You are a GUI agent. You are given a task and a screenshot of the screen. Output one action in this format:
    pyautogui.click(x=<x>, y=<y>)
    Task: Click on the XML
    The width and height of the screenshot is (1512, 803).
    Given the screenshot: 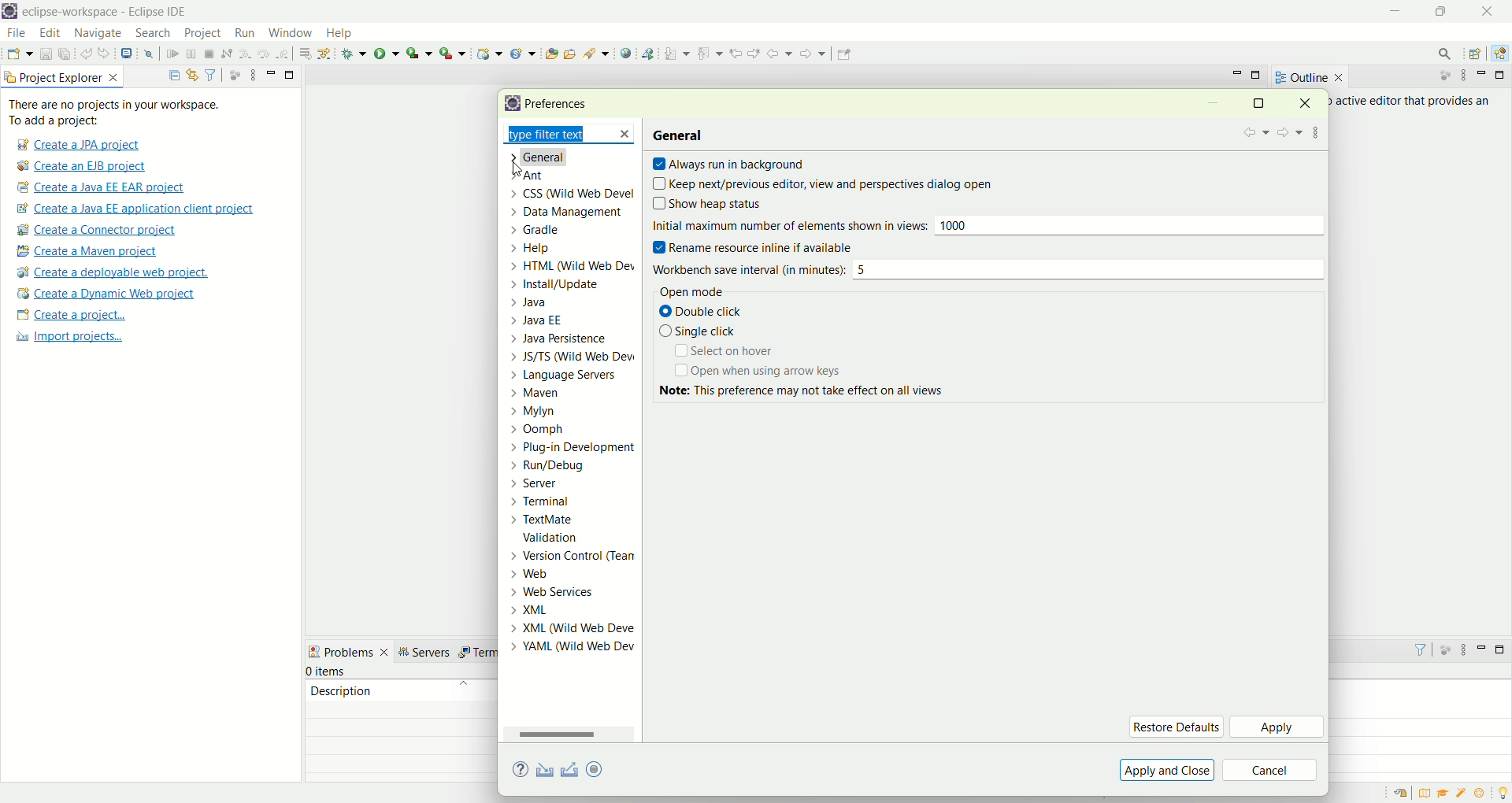 What is the action you would take?
    pyautogui.click(x=574, y=627)
    